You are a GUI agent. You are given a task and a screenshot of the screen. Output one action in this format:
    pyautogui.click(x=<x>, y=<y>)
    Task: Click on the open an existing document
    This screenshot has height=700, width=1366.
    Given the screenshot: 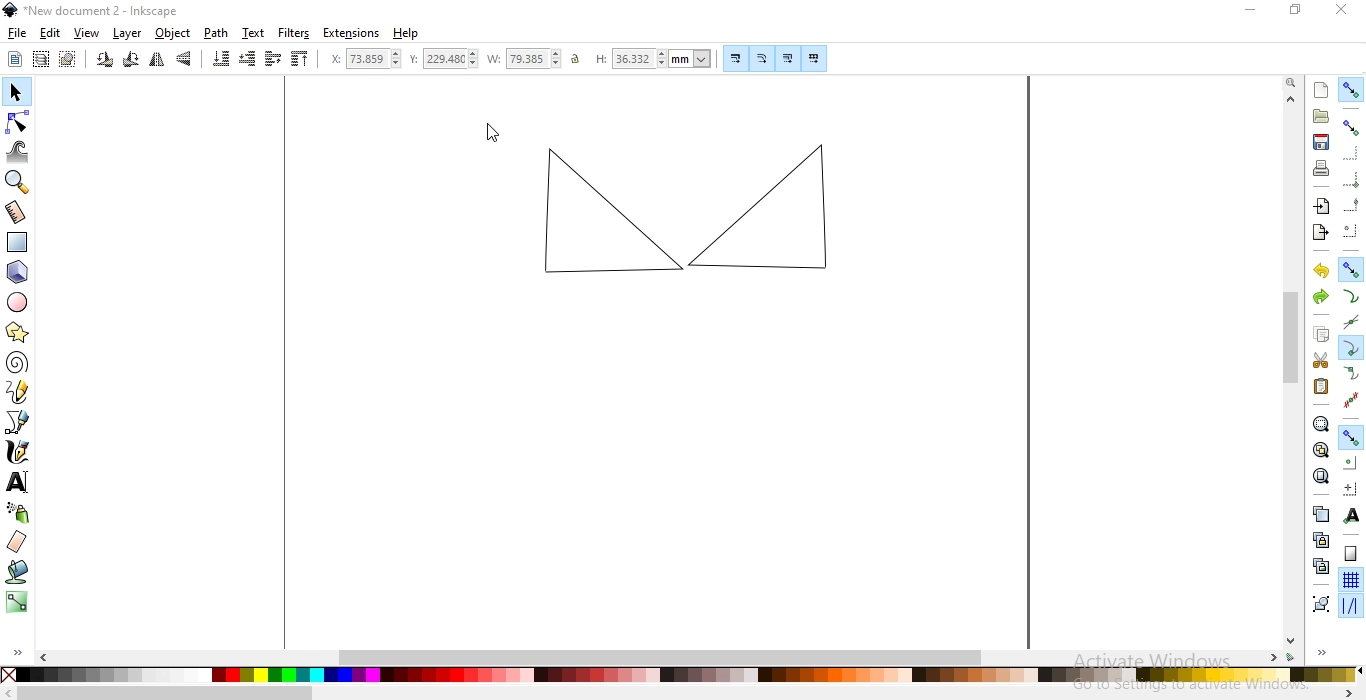 What is the action you would take?
    pyautogui.click(x=1321, y=117)
    